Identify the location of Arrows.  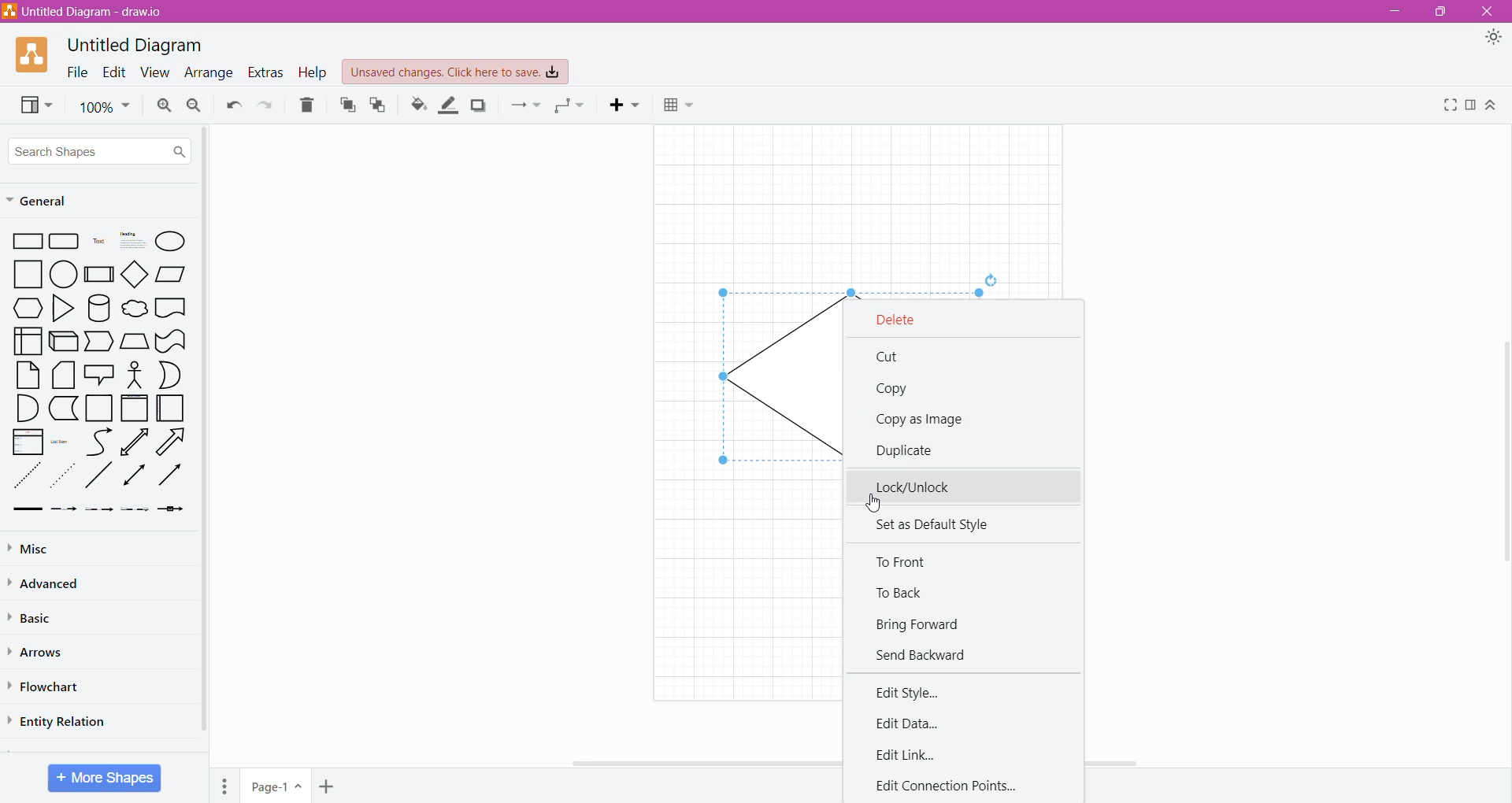
(39, 653).